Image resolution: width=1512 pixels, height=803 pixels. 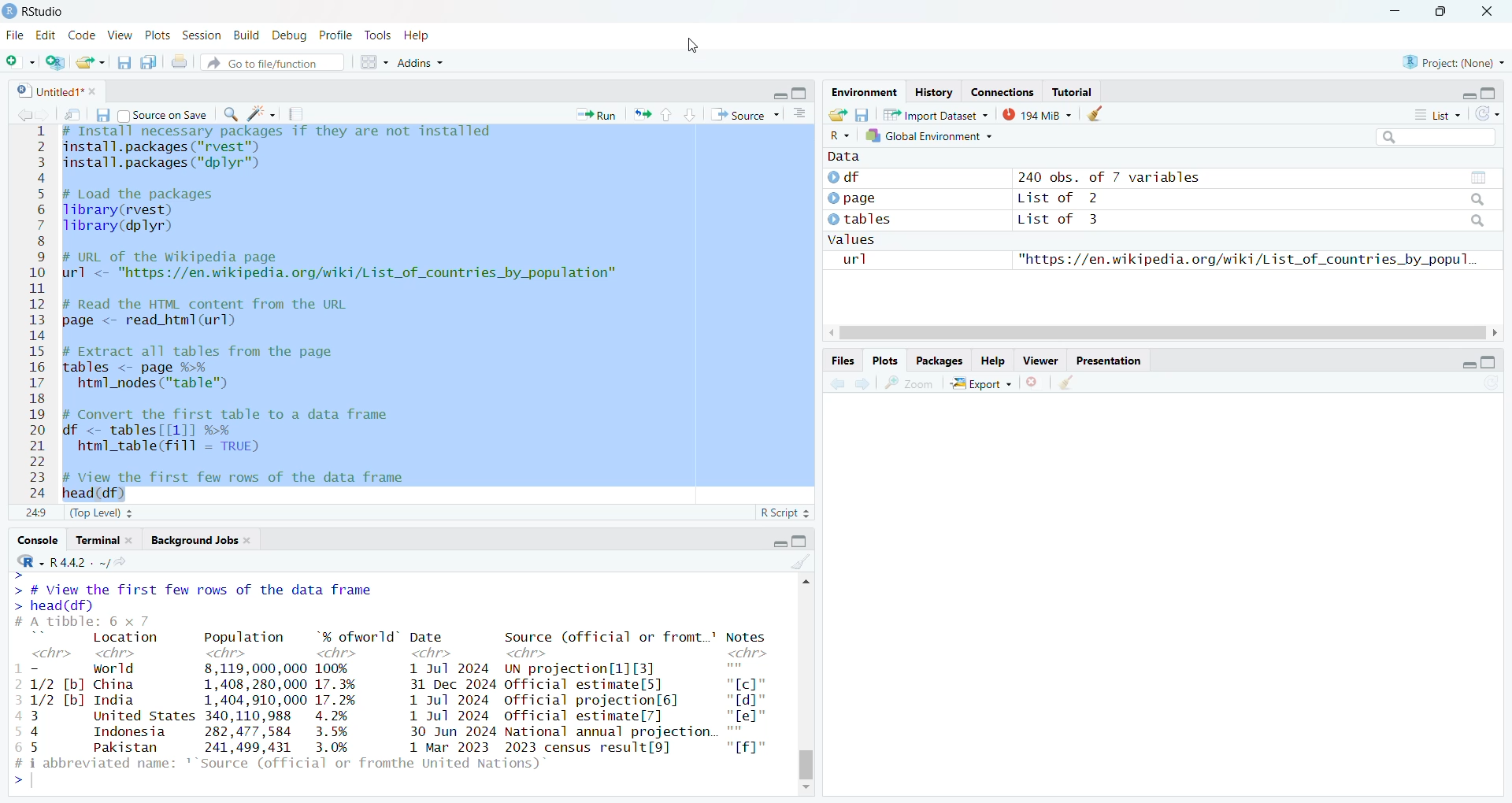 I want to click on <chr>100% 17.3% 17.2% 4.2% 3.5% 3.0%, so click(x=342, y=699).